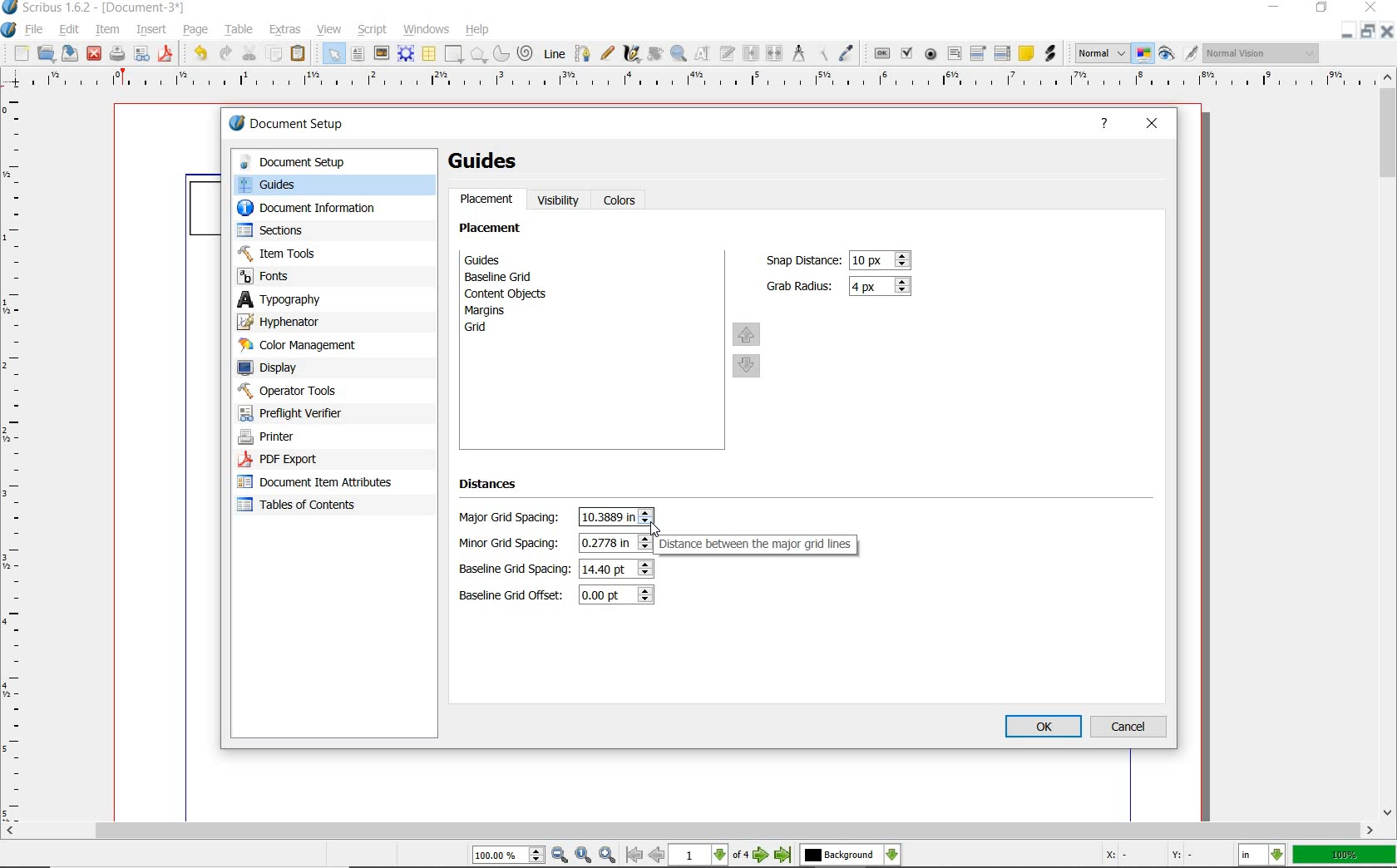 The width and height of the screenshot is (1397, 868). What do you see at coordinates (654, 55) in the screenshot?
I see `rotate item` at bounding box center [654, 55].